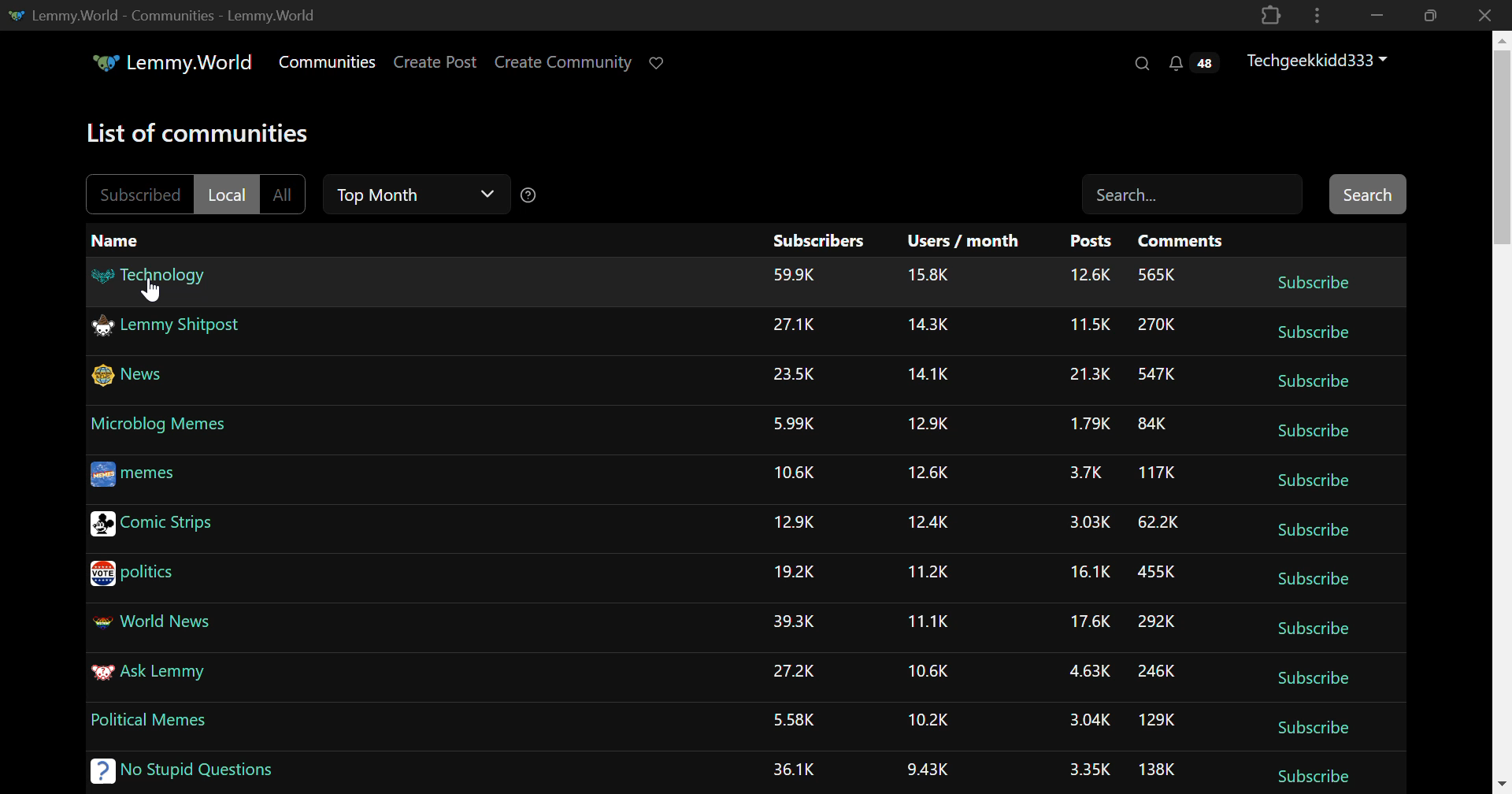 The height and width of the screenshot is (794, 1512). What do you see at coordinates (1310, 484) in the screenshot?
I see `Subscribe` at bounding box center [1310, 484].